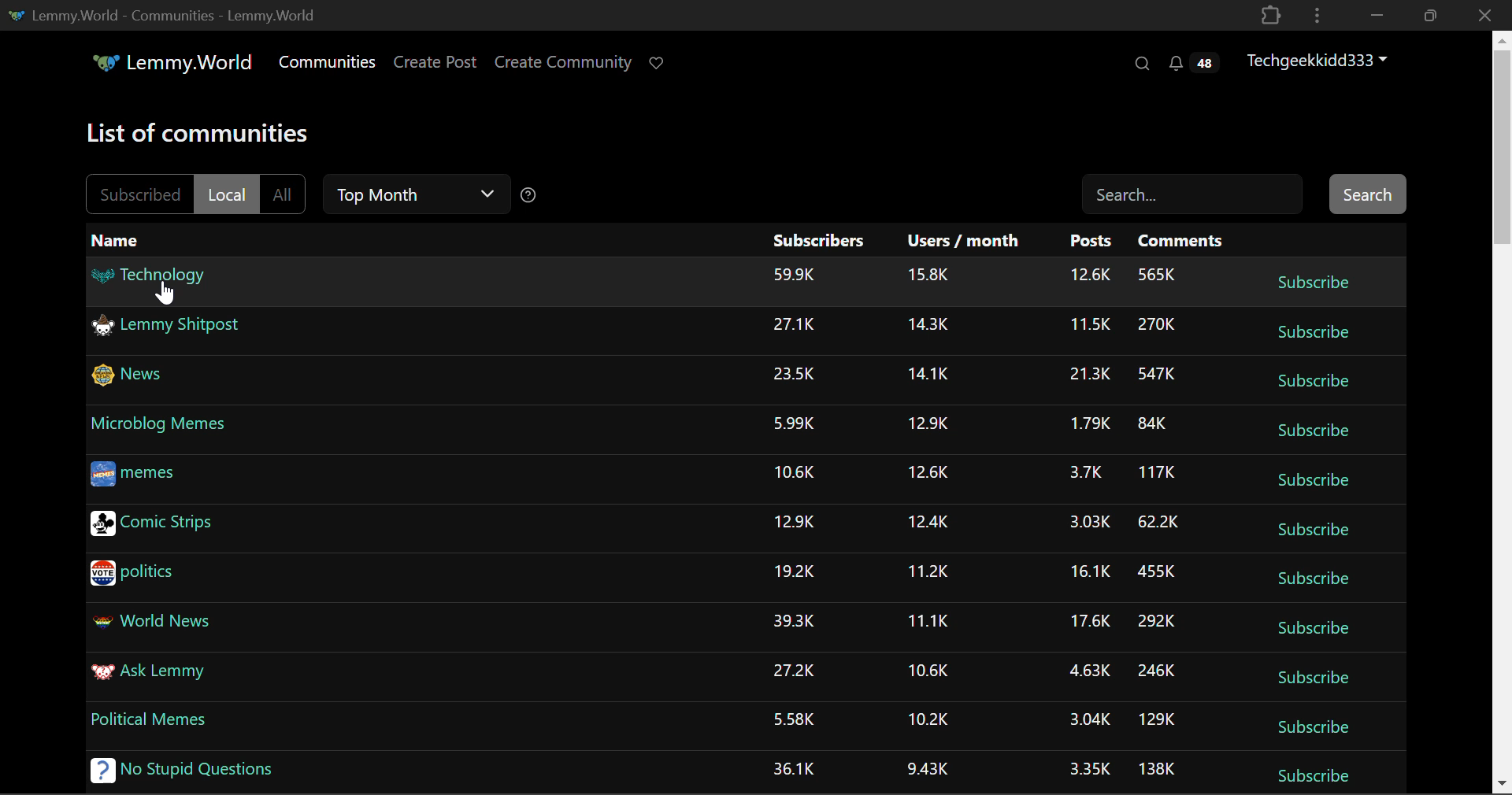 The height and width of the screenshot is (795, 1512). Describe the element at coordinates (1188, 191) in the screenshot. I see `Search` at that location.